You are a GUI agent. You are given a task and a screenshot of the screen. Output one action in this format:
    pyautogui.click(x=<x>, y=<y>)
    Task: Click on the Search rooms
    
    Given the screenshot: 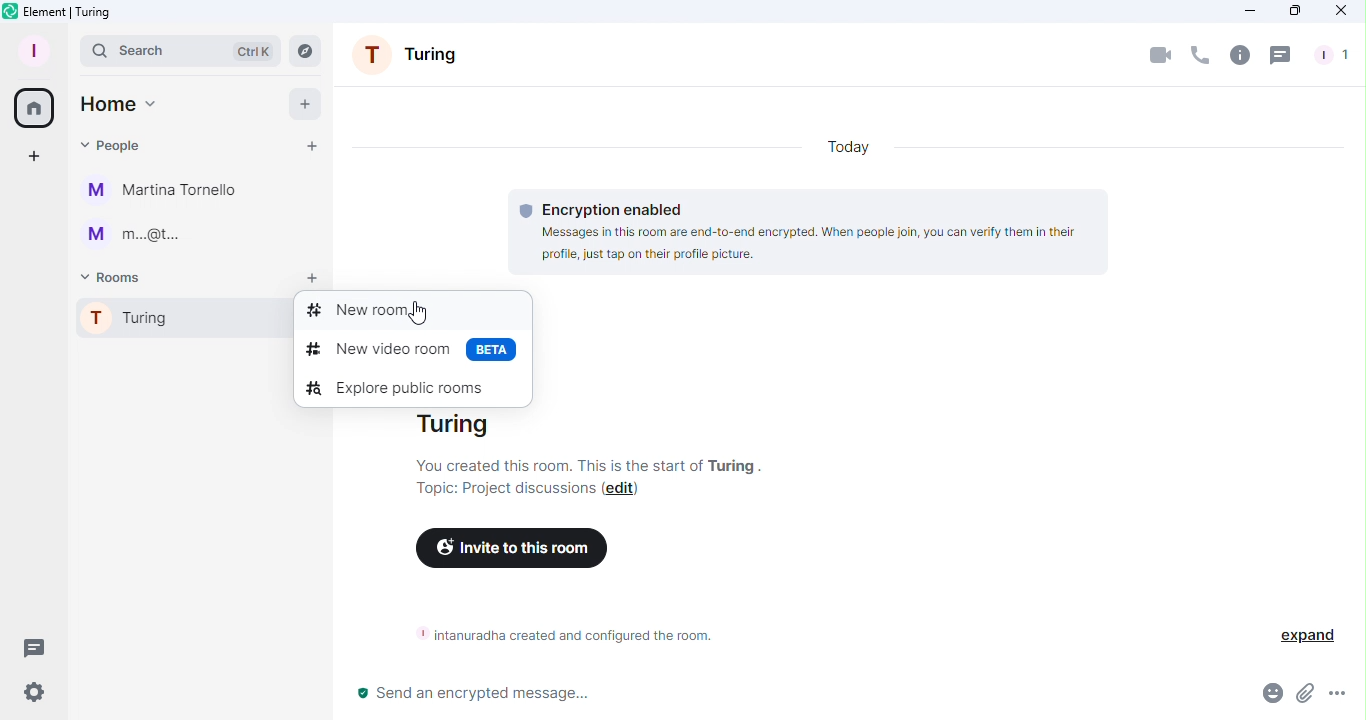 What is the action you would take?
    pyautogui.click(x=309, y=51)
    